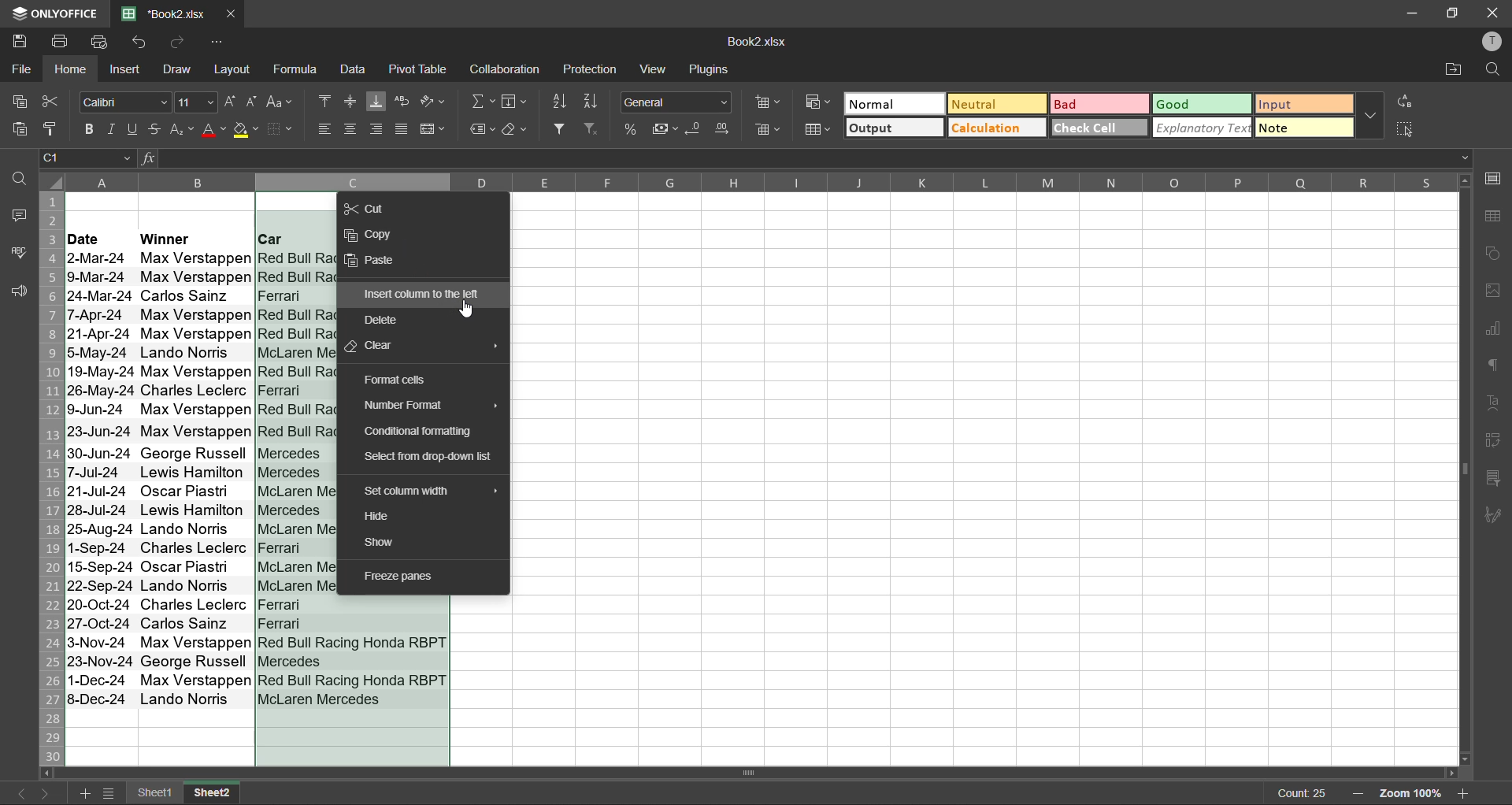 The image size is (1512, 805). Describe the element at coordinates (1302, 130) in the screenshot. I see `note` at that location.